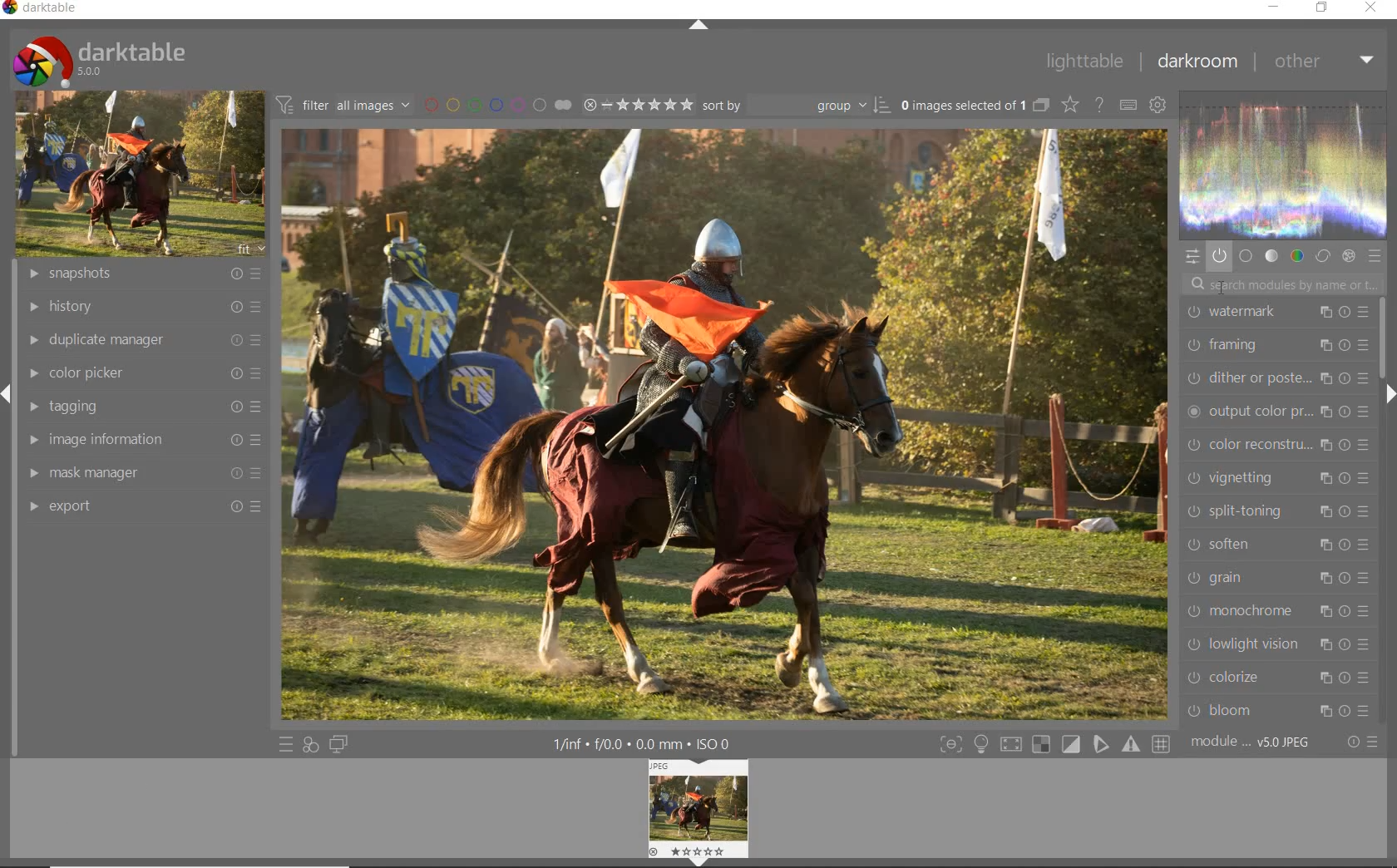  Describe the element at coordinates (144, 339) in the screenshot. I see `duplicate manager` at that location.